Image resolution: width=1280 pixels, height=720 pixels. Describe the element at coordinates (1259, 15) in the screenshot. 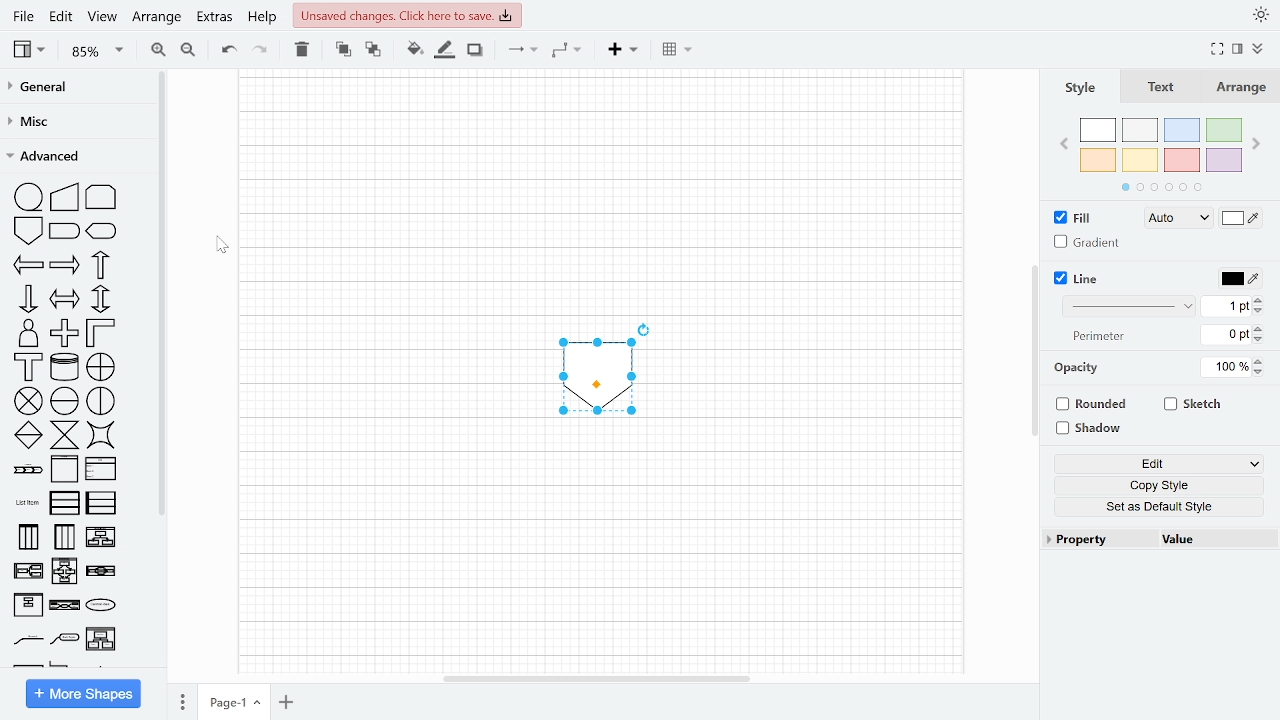

I see `Theme` at that location.